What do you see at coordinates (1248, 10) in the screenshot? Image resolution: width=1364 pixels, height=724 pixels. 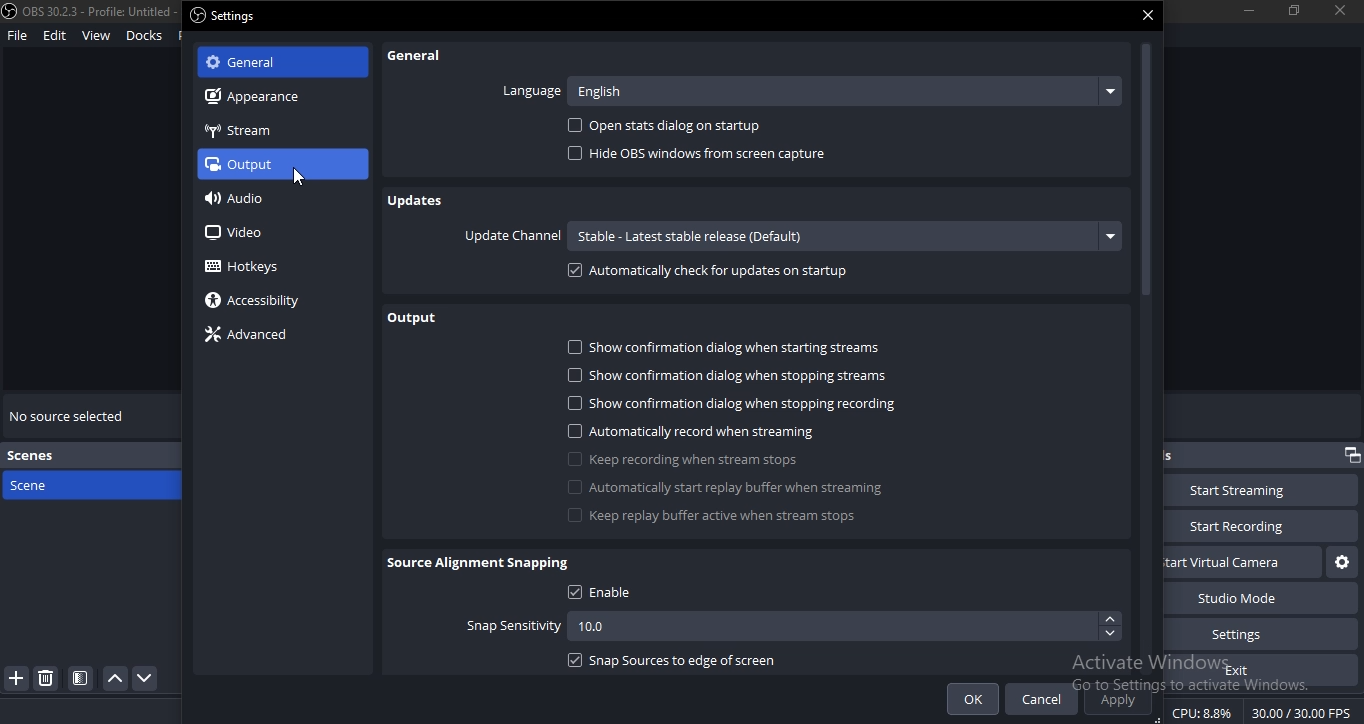 I see `minimize` at bounding box center [1248, 10].